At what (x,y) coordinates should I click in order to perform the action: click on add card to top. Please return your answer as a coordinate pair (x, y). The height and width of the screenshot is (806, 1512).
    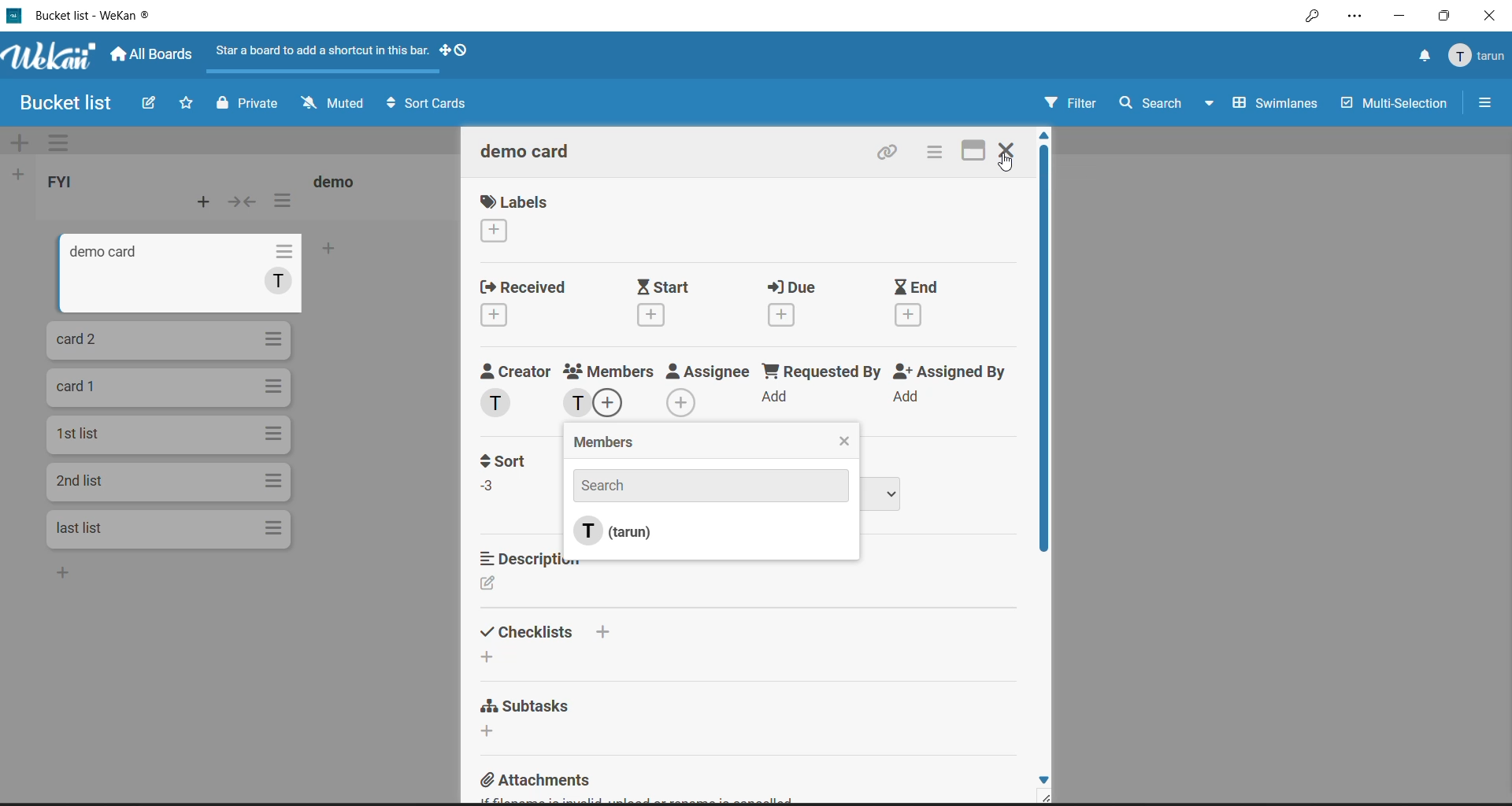
    Looking at the image, I should click on (200, 202).